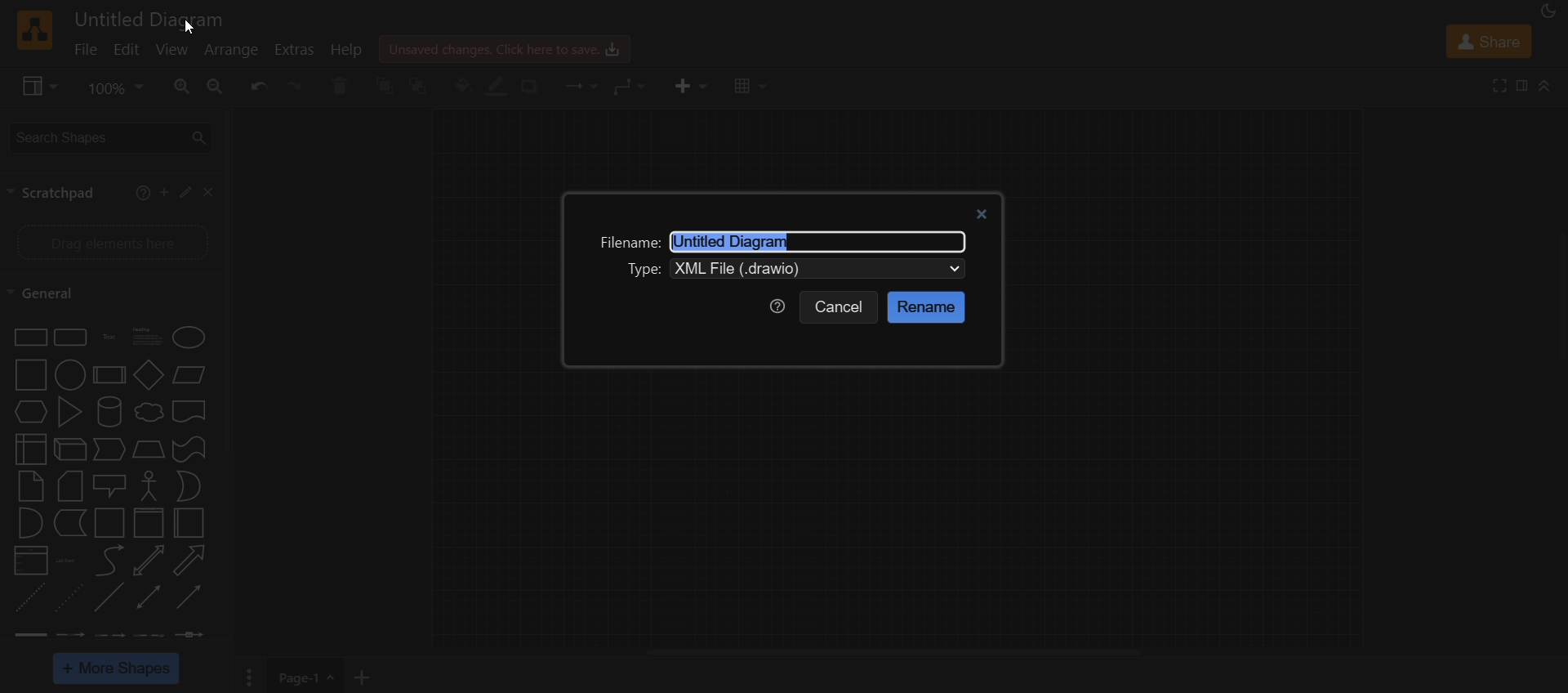  Describe the element at coordinates (163, 192) in the screenshot. I see `add` at that location.